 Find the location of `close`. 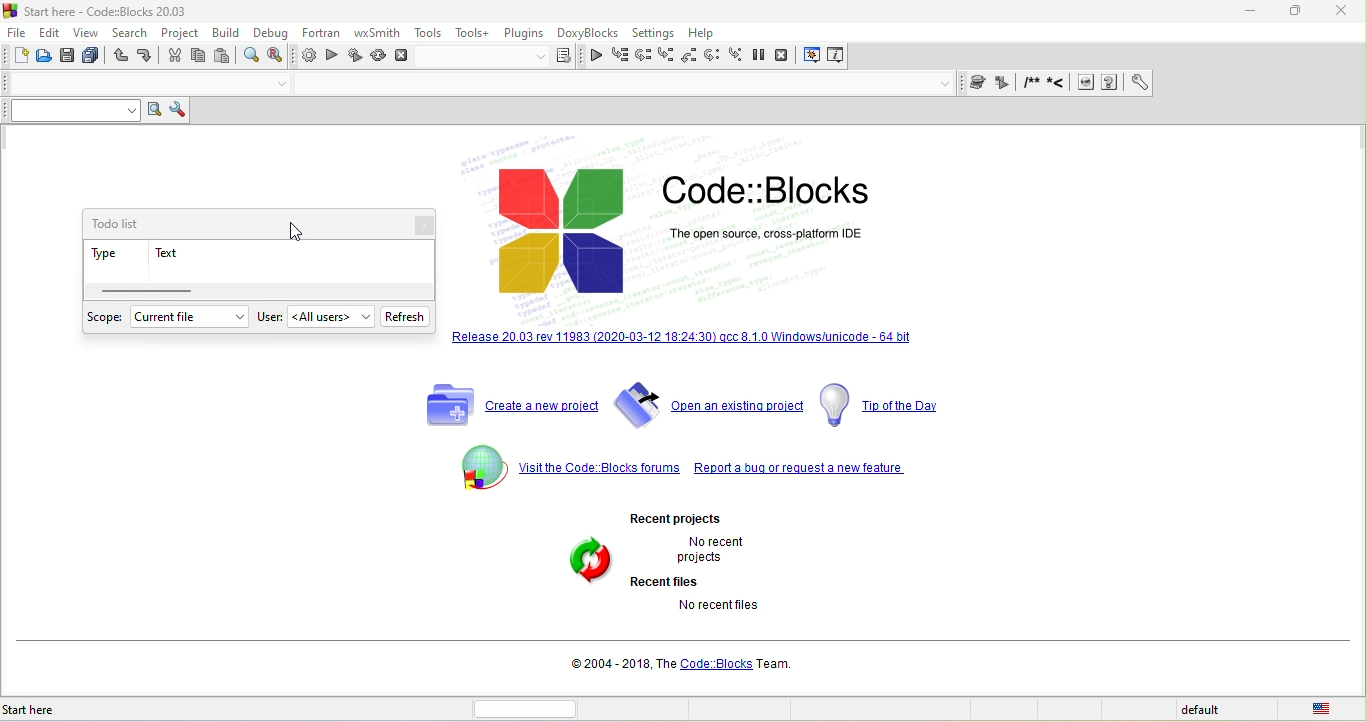

close is located at coordinates (1346, 12).